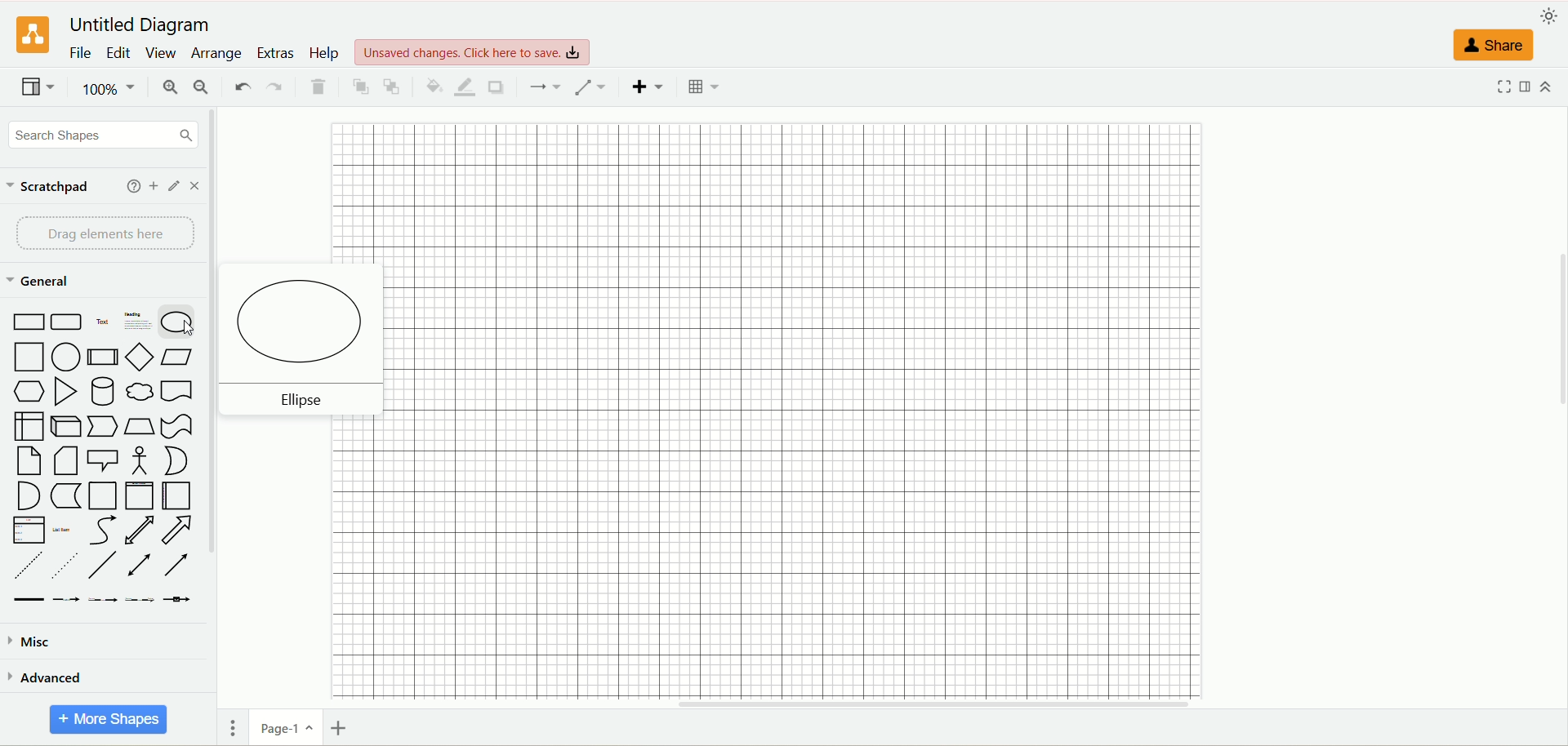 The image size is (1568, 746). I want to click on share, so click(1494, 48).